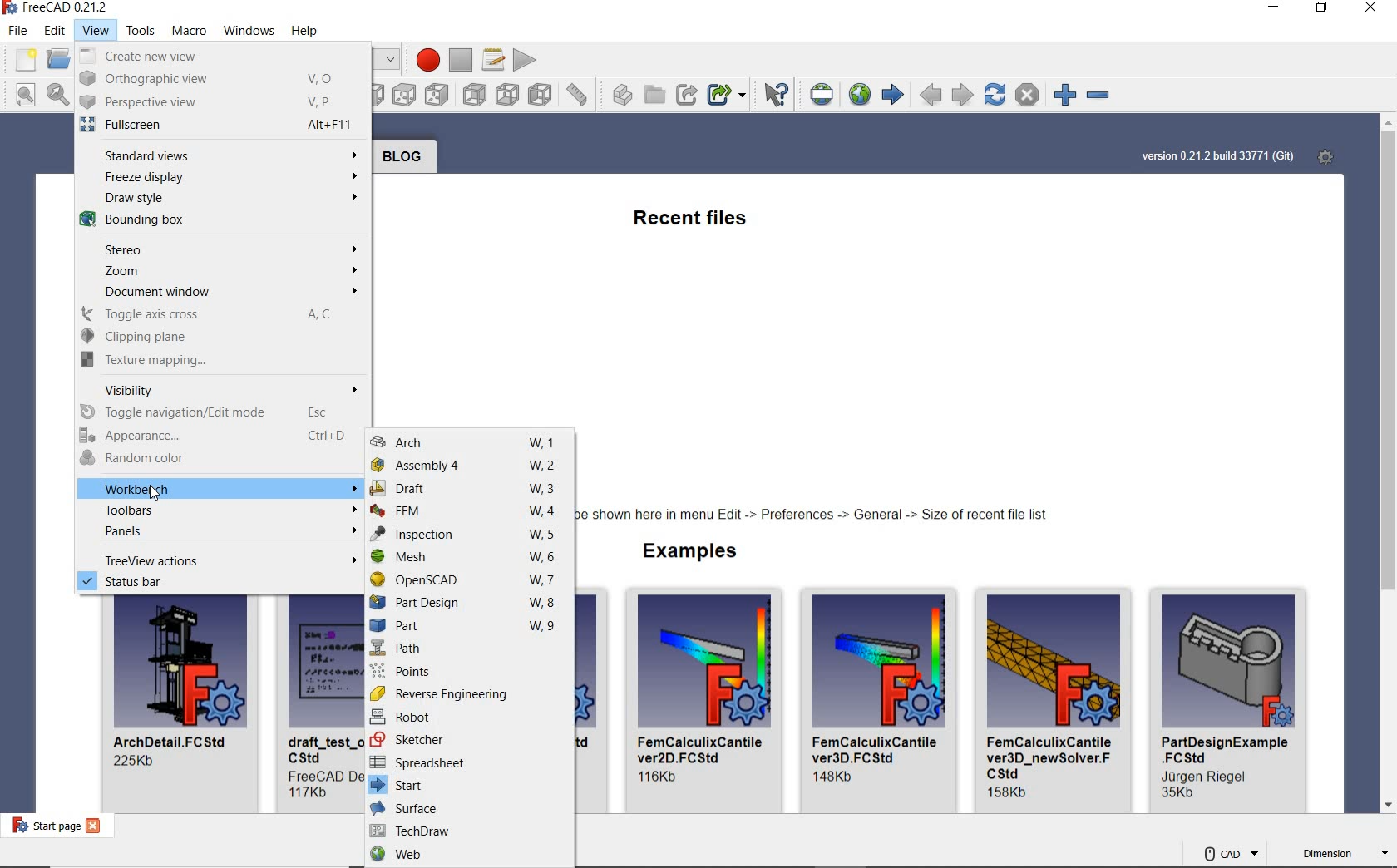  What do you see at coordinates (657, 96) in the screenshot?
I see `create group` at bounding box center [657, 96].